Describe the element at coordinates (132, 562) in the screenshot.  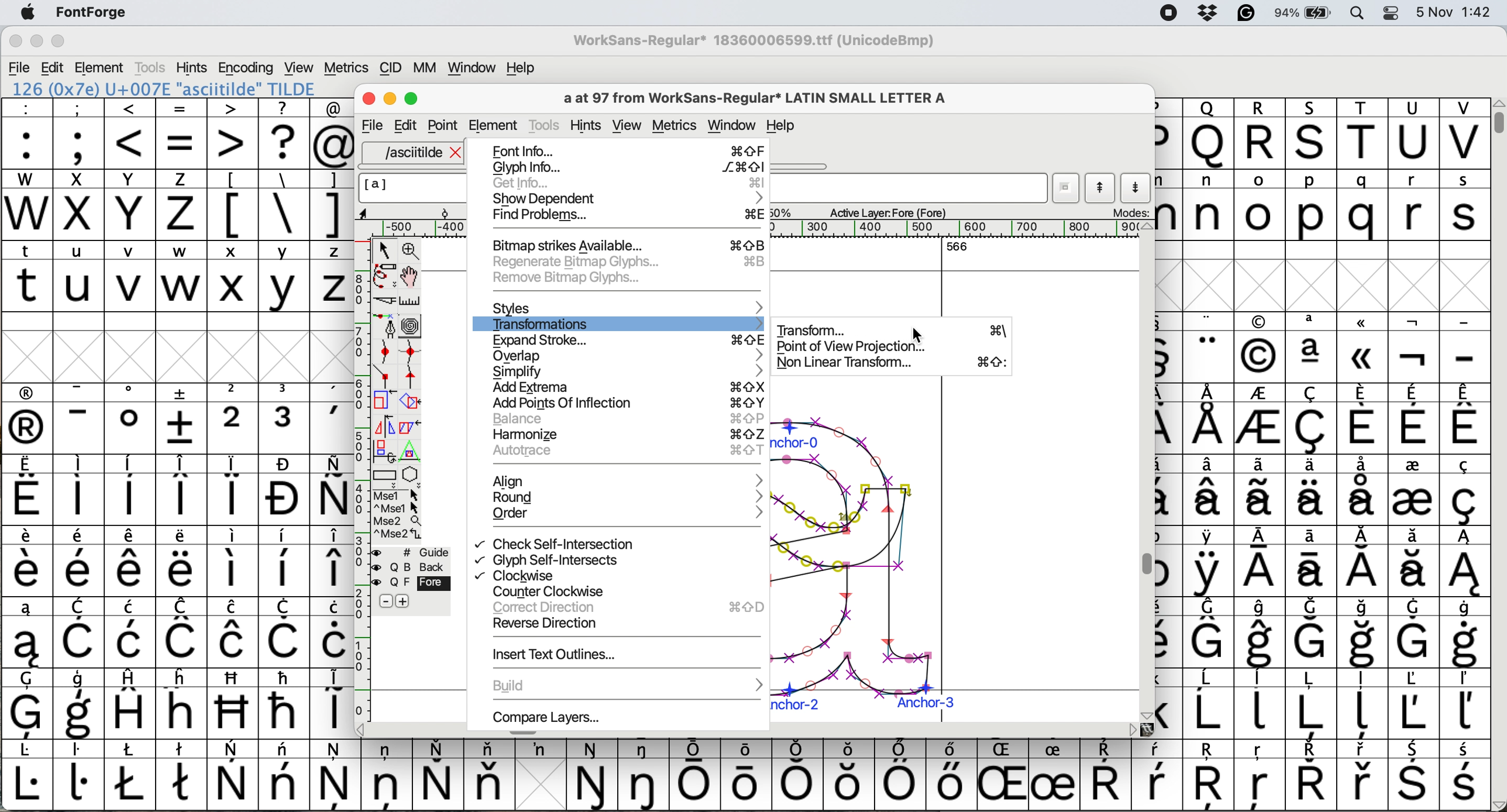
I see `symbol` at that location.